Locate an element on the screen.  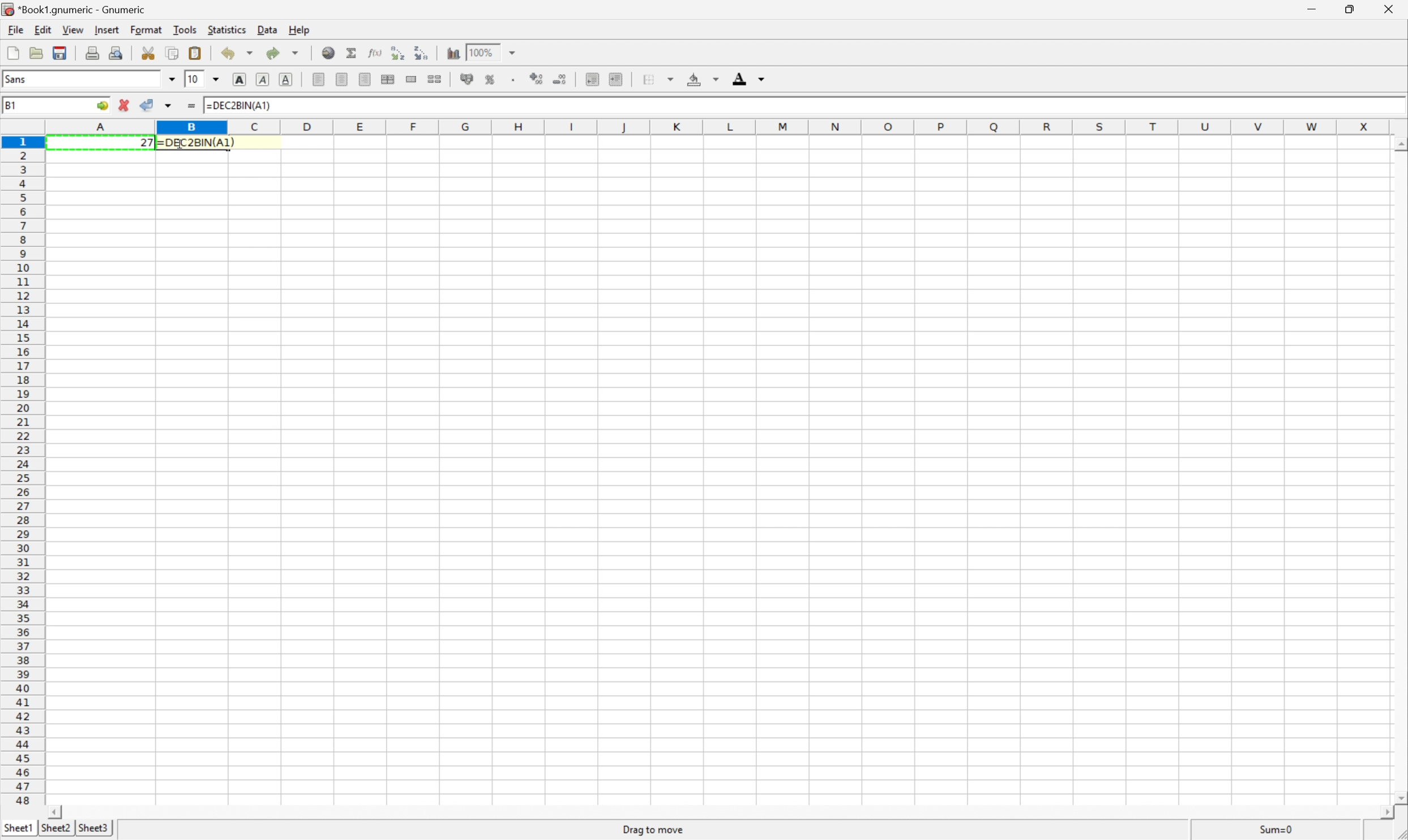
Align Left is located at coordinates (319, 81).